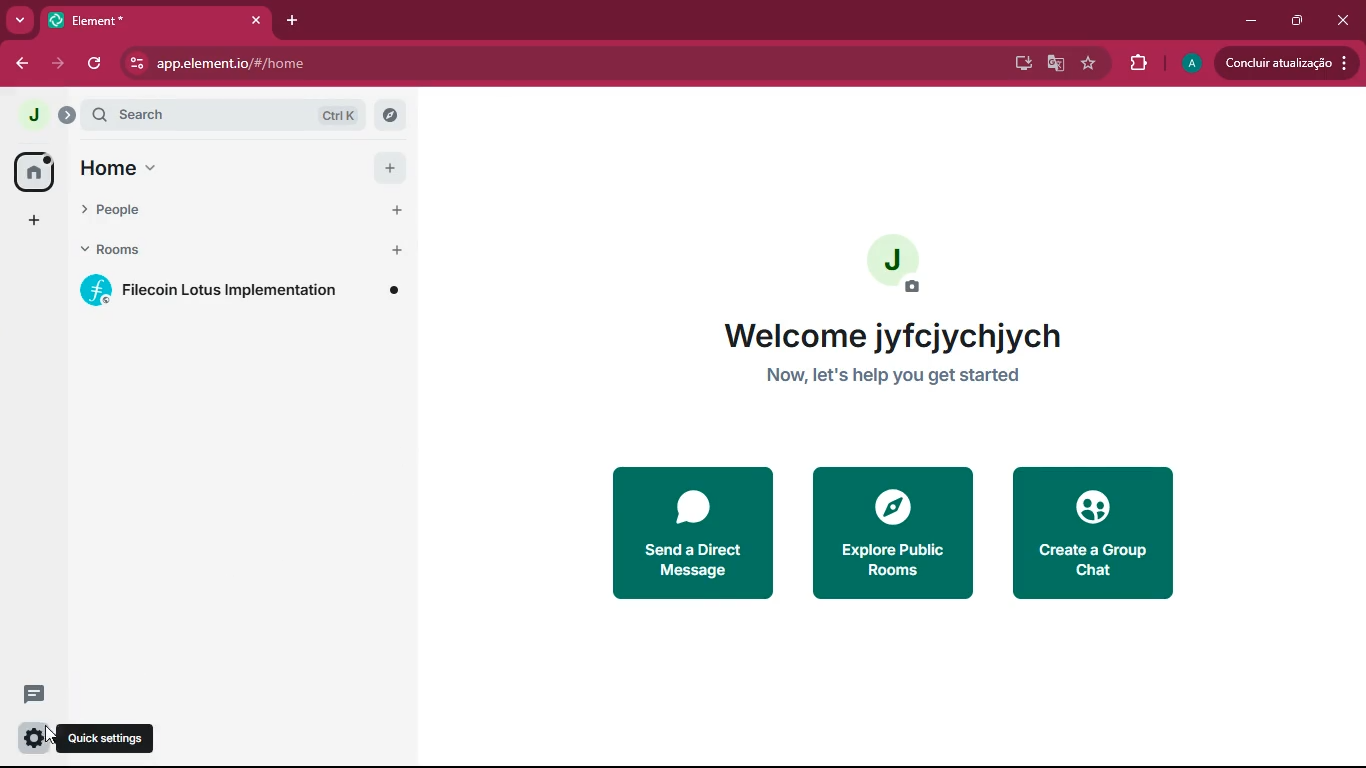 This screenshot has height=768, width=1366. What do you see at coordinates (206, 168) in the screenshot?
I see `home` at bounding box center [206, 168].